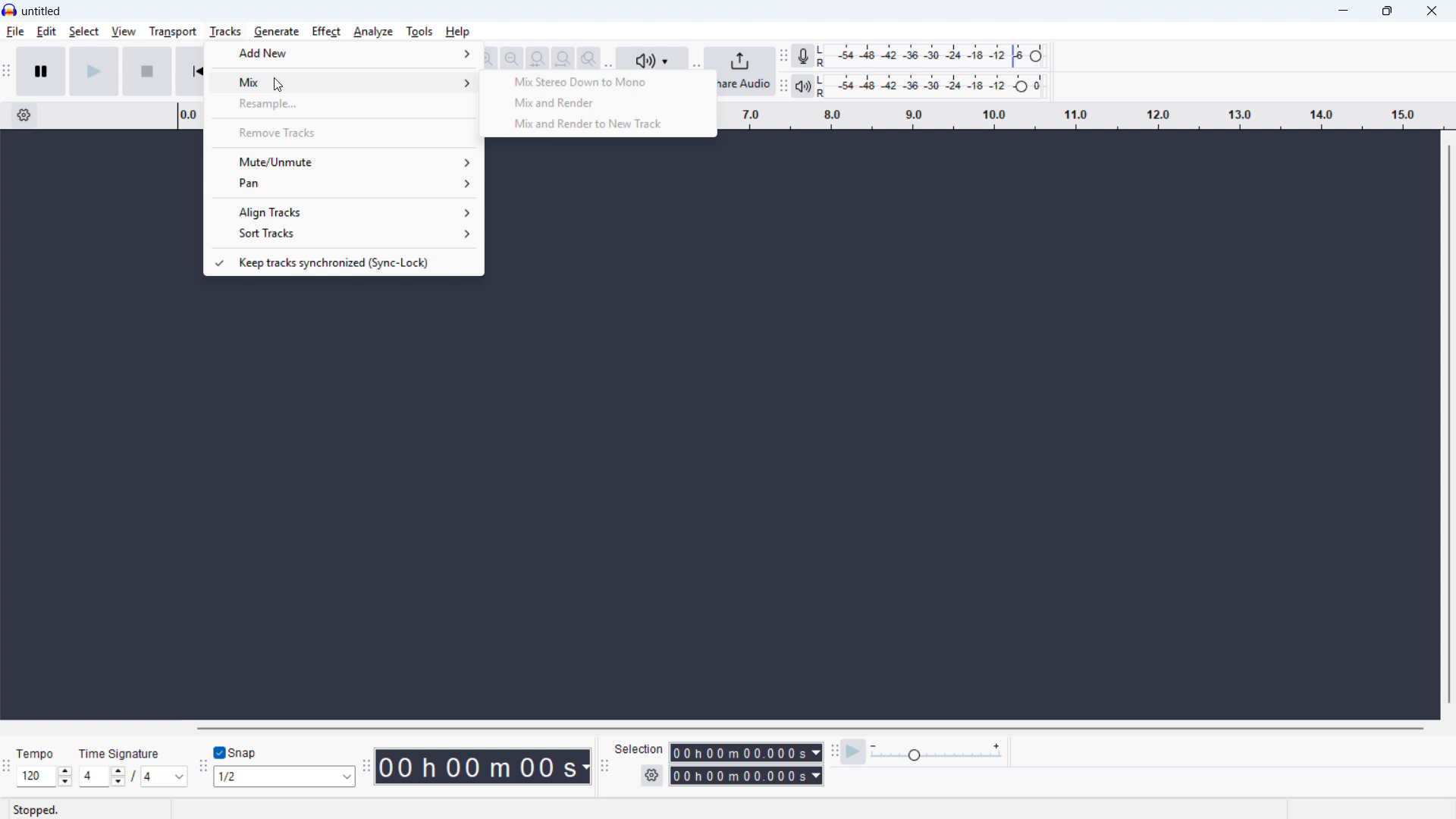 This screenshot has height=819, width=1456. I want to click on Mix stereo down to Mono , so click(598, 82).